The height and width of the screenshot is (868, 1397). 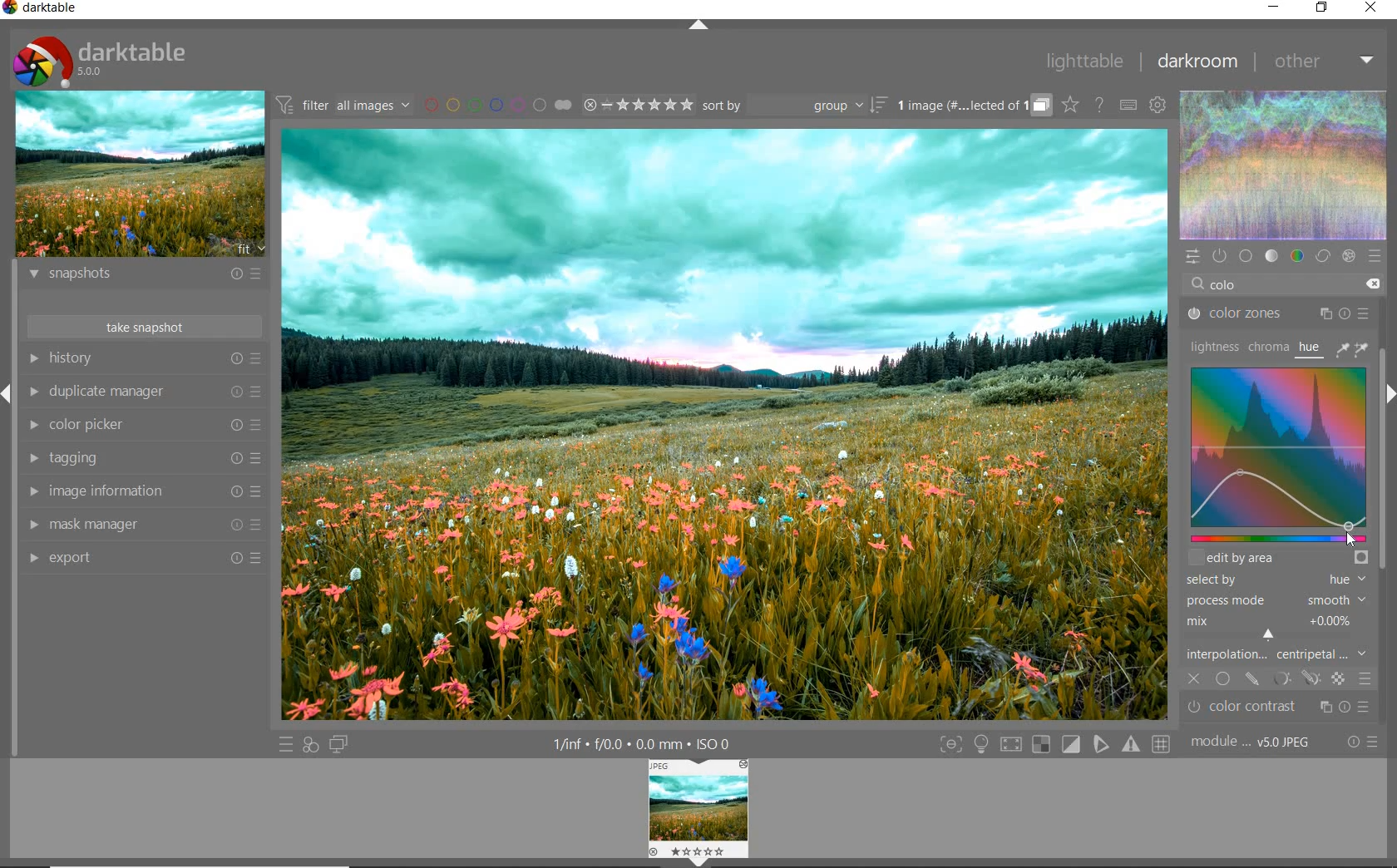 What do you see at coordinates (147, 393) in the screenshot?
I see `duplicate manager` at bounding box center [147, 393].